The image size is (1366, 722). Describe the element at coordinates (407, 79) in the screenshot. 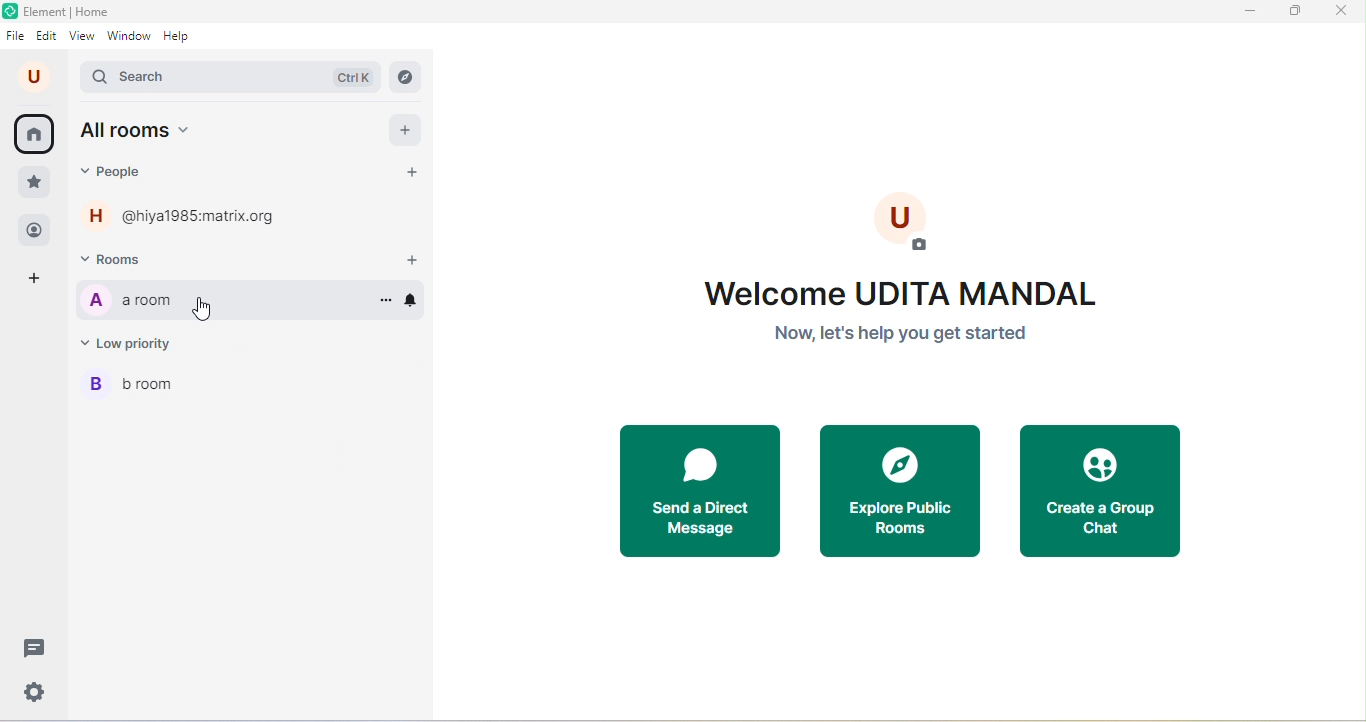

I see `explore rooms` at that location.